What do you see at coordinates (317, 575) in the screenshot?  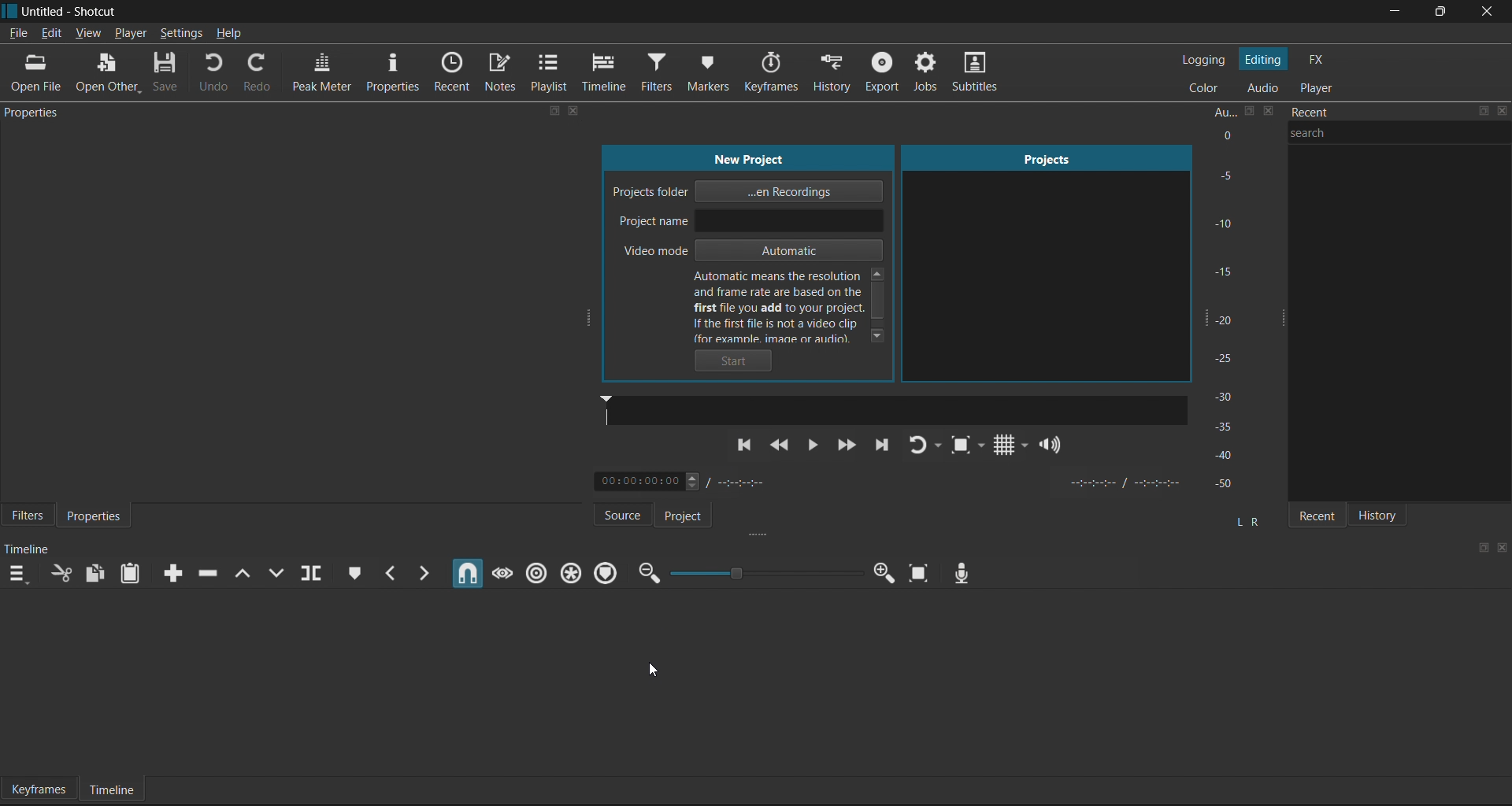 I see `Split at playhead` at bounding box center [317, 575].